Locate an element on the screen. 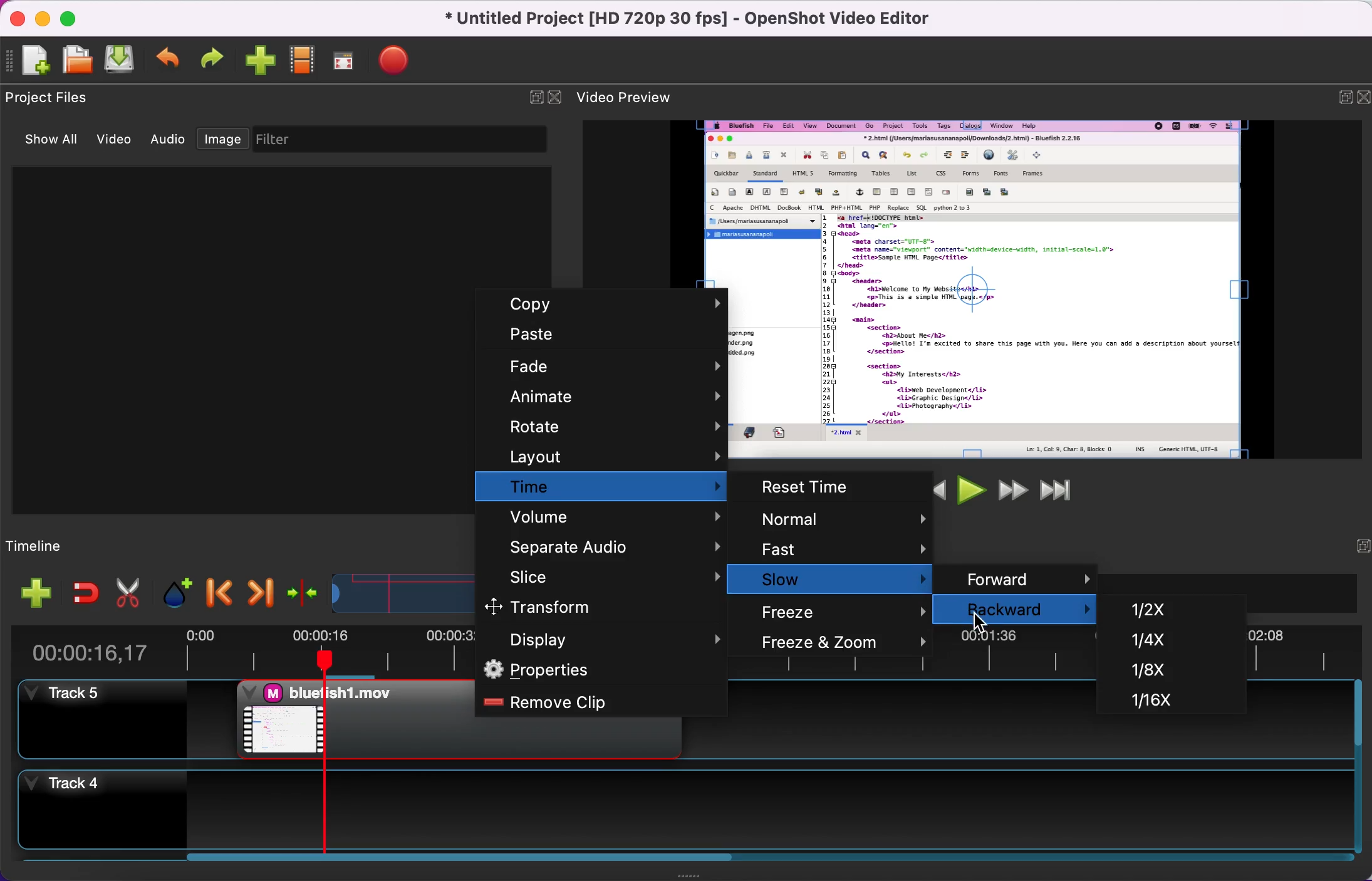 The height and width of the screenshot is (881, 1372). add marker is located at coordinates (172, 589).